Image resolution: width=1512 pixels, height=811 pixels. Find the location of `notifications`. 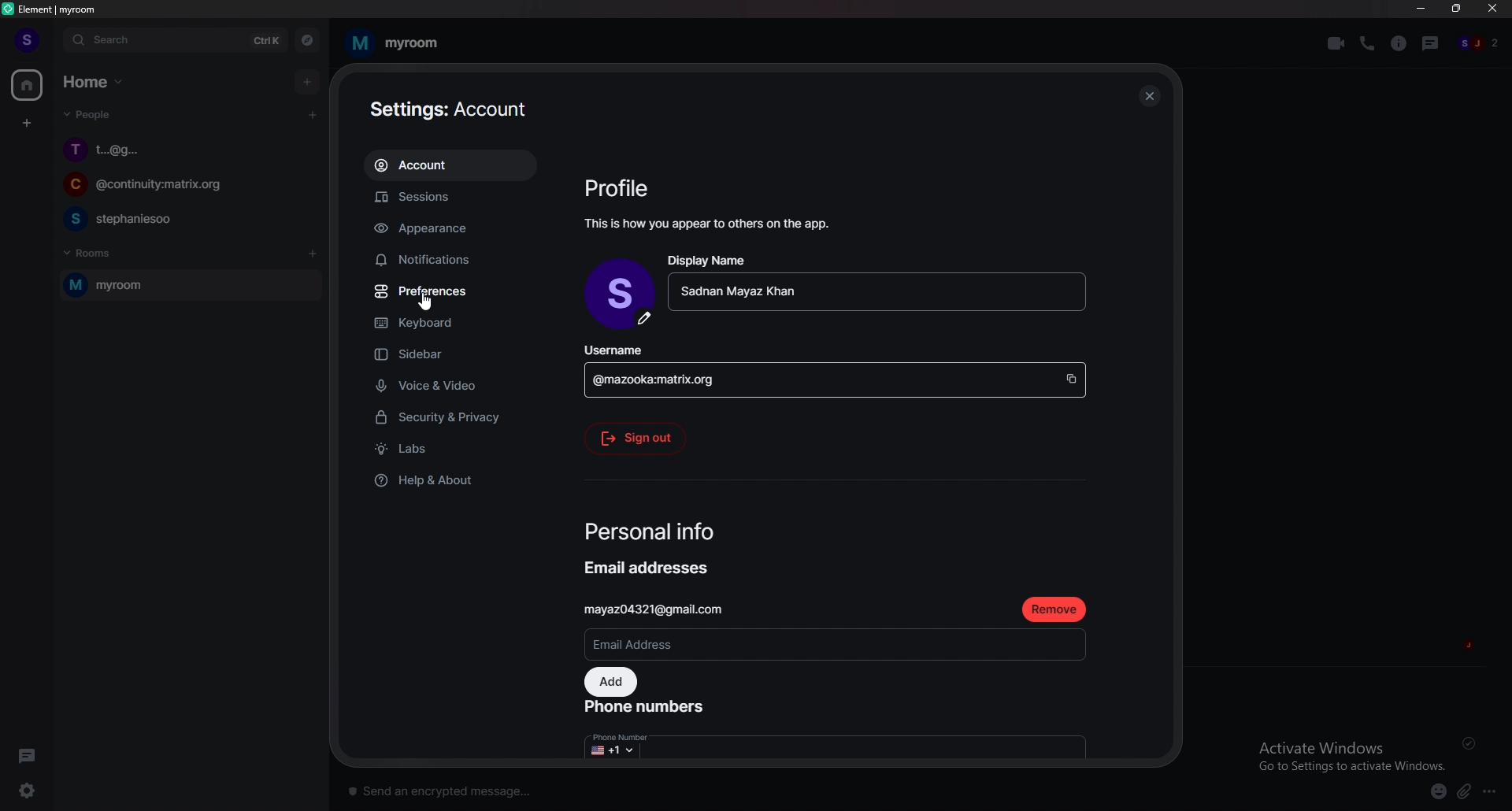

notifications is located at coordinates (447, 260).